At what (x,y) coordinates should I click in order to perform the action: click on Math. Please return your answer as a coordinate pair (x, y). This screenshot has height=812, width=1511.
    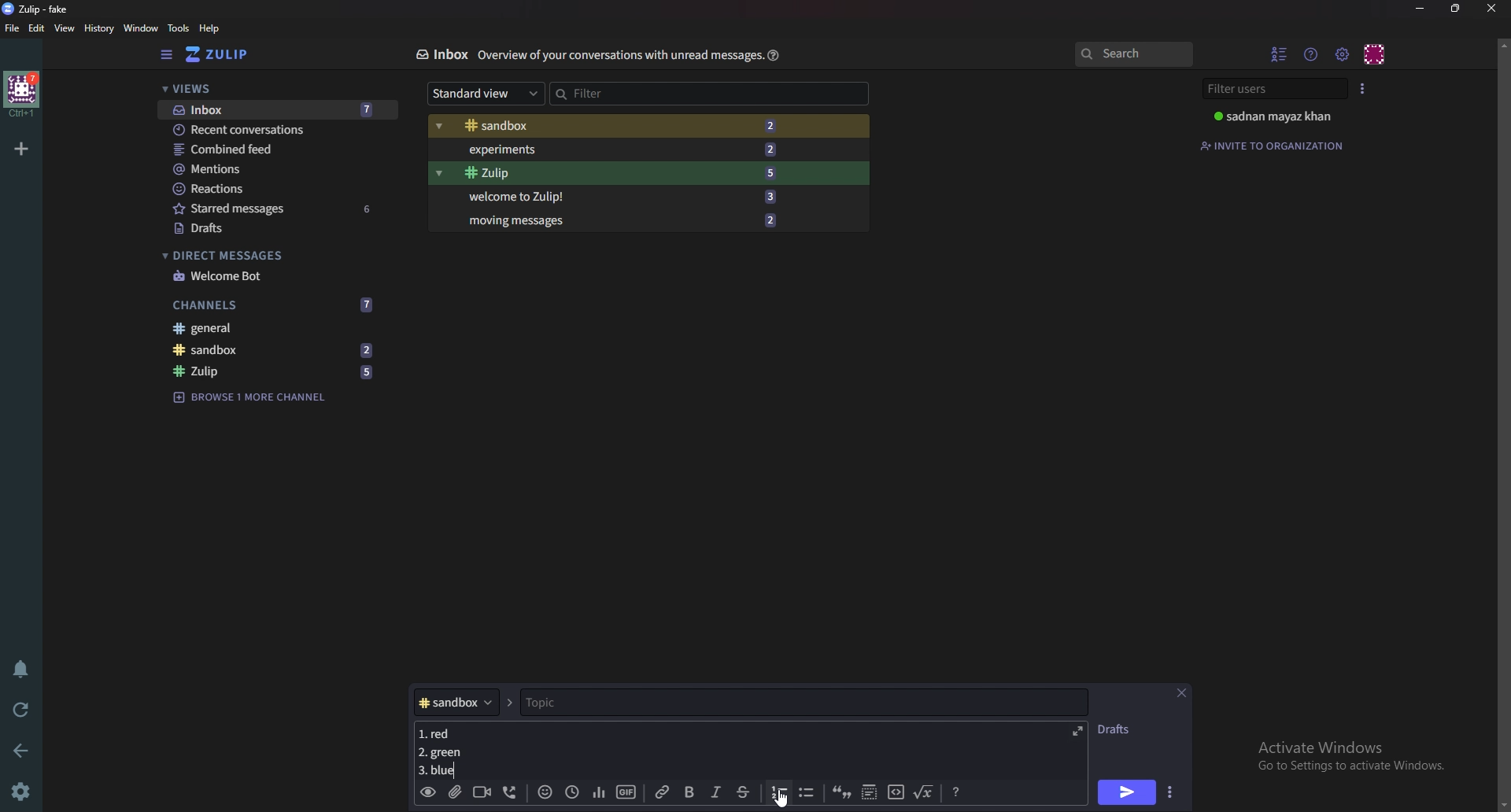
    Looking at the image, I should click on (925, 792).